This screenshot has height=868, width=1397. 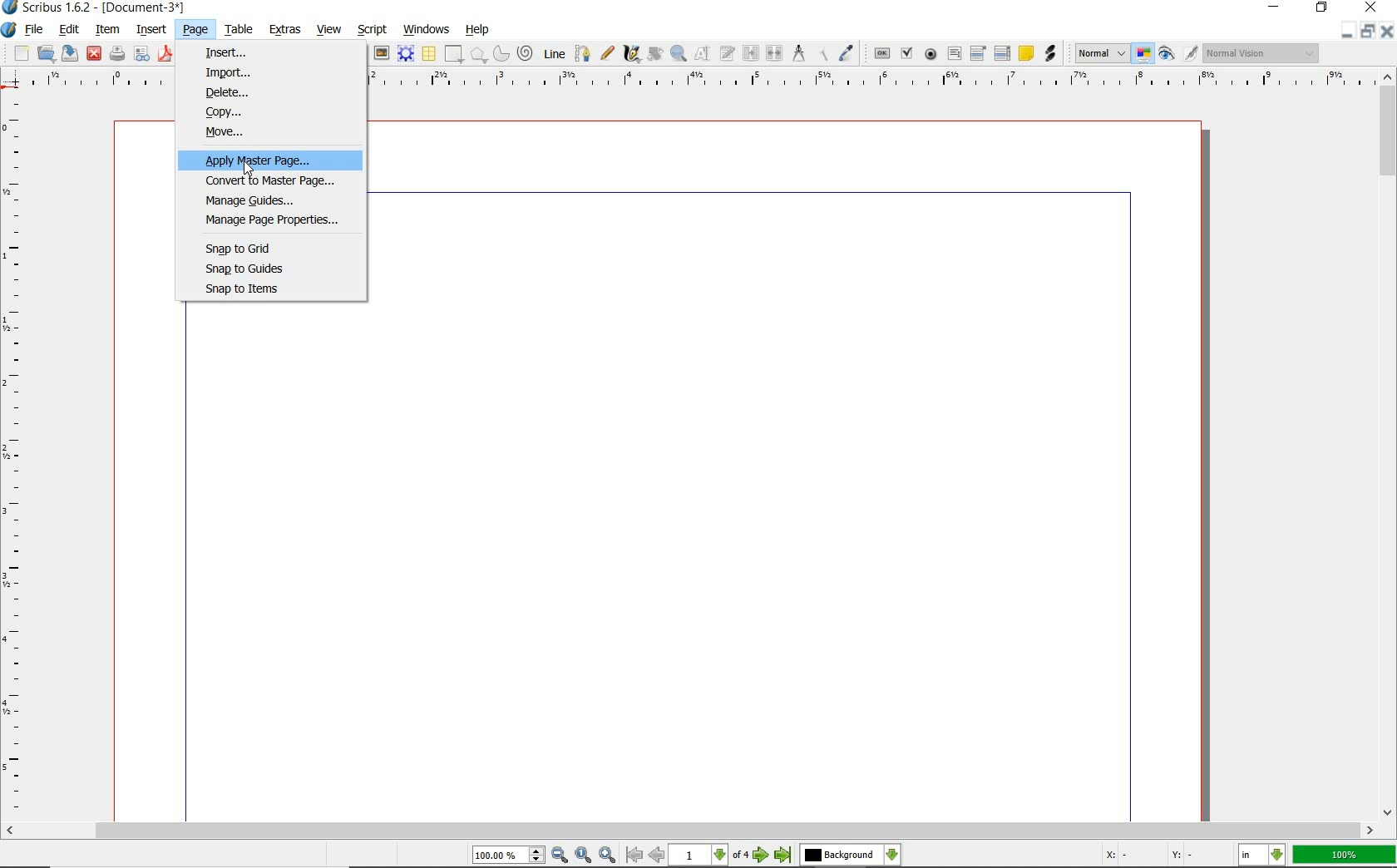 What do you see at coordinates (657, 856) in the screenshot?
I see `Previous Page` at bounding box center [657, 856].